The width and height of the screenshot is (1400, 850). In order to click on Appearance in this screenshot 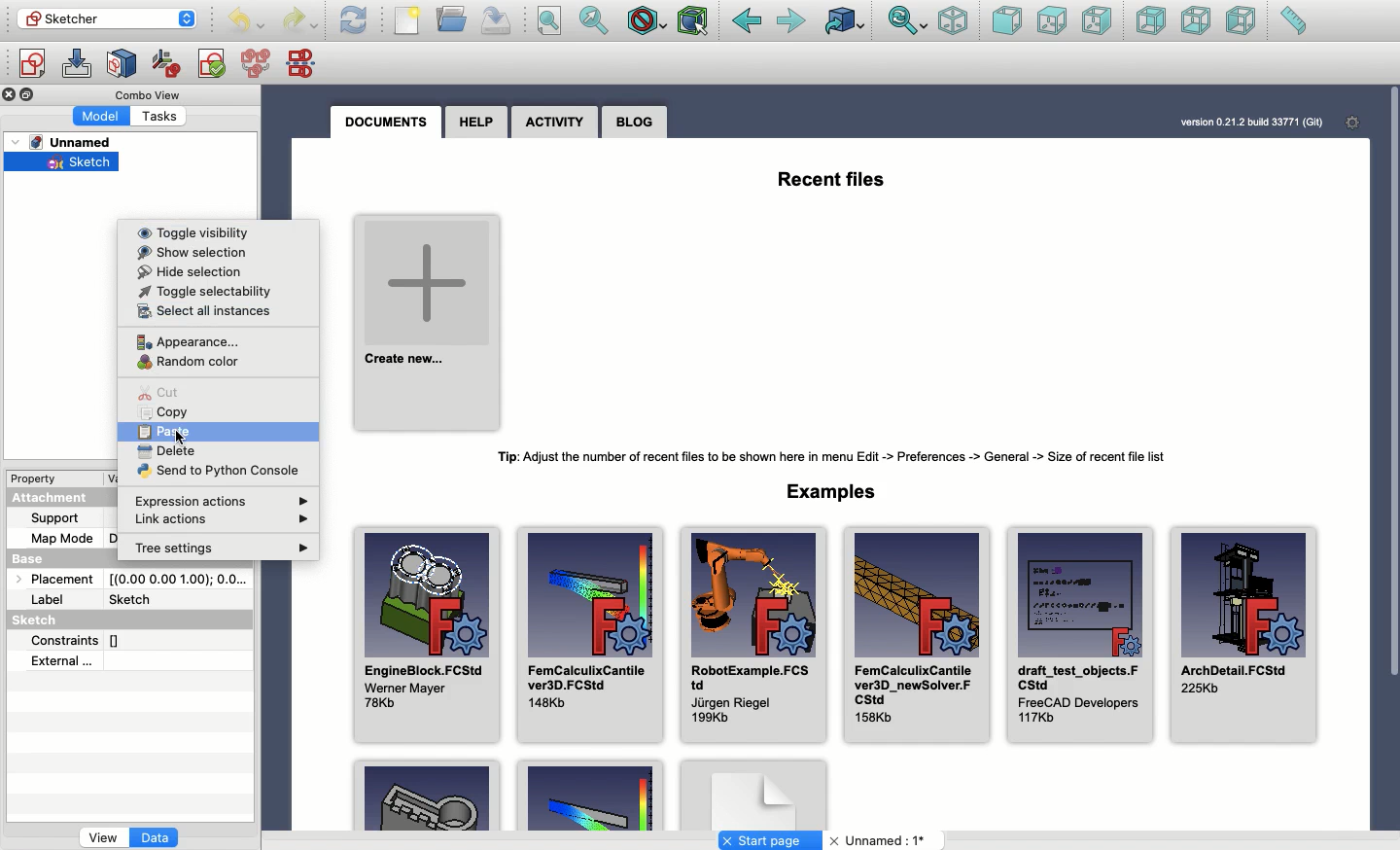, I will do `click(181, 337)`.